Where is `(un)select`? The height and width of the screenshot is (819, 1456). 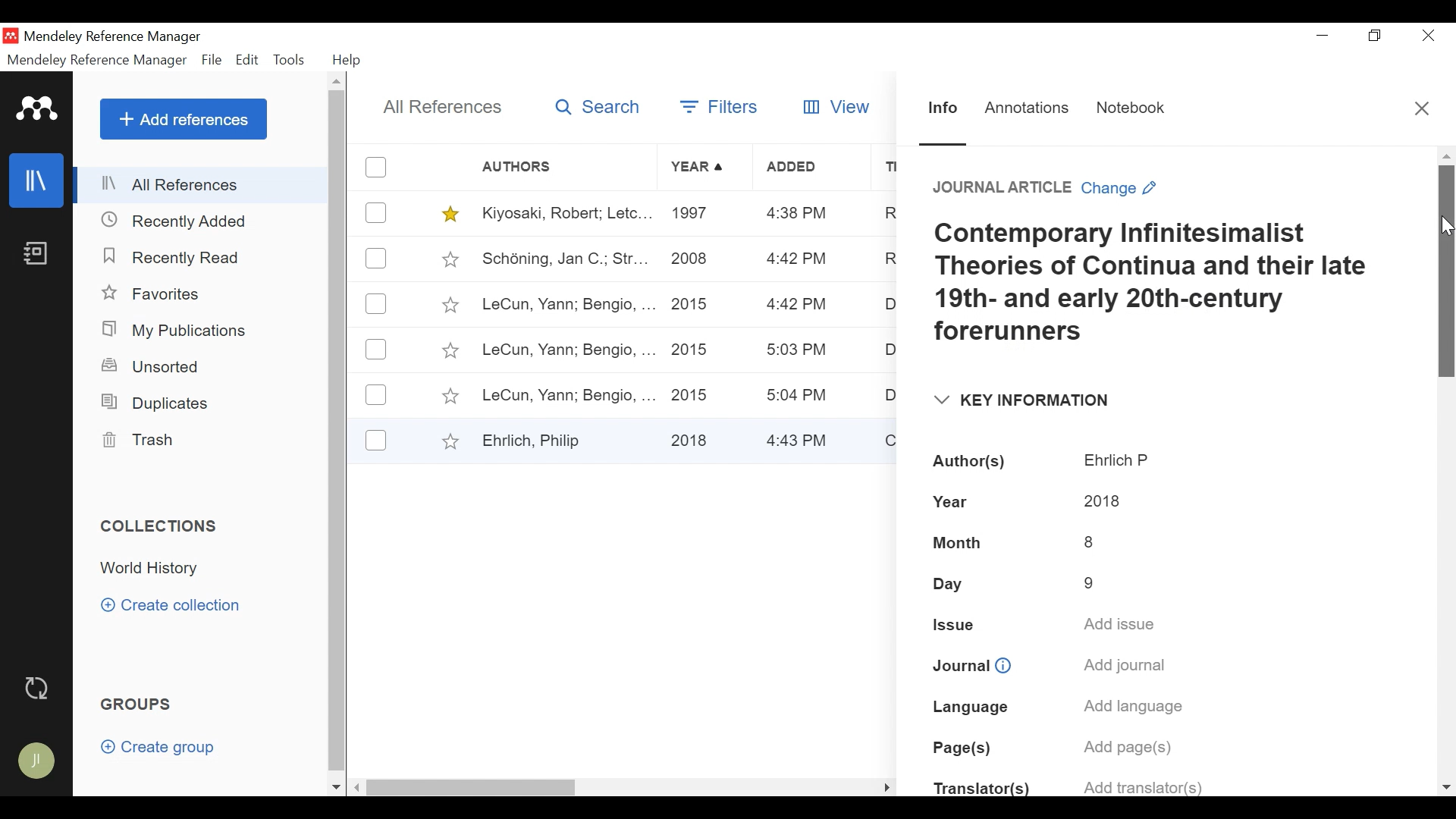 (un)select is located at coordinates (376, 440).